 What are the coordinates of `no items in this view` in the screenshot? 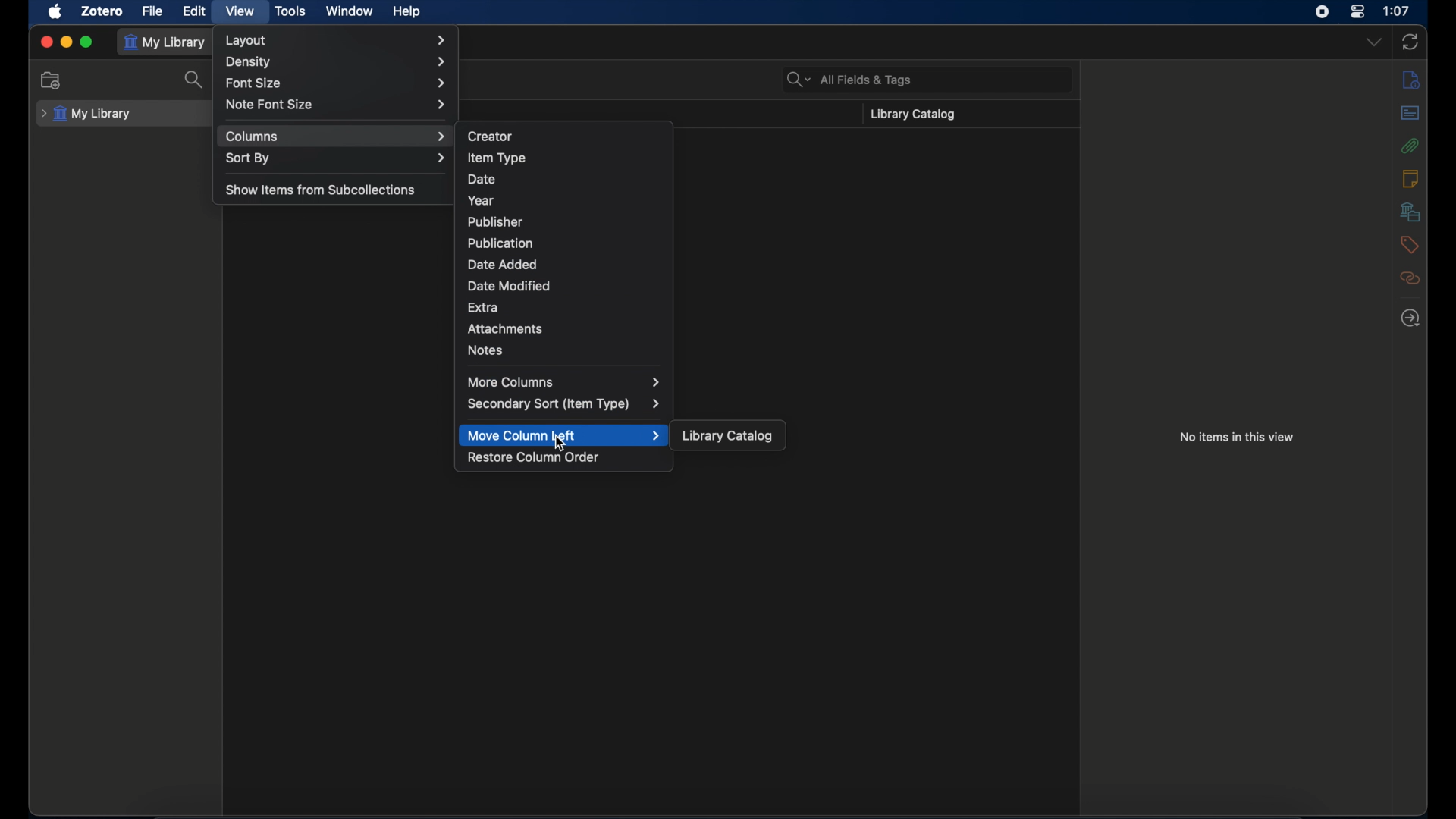 It's located at (1237, 437).